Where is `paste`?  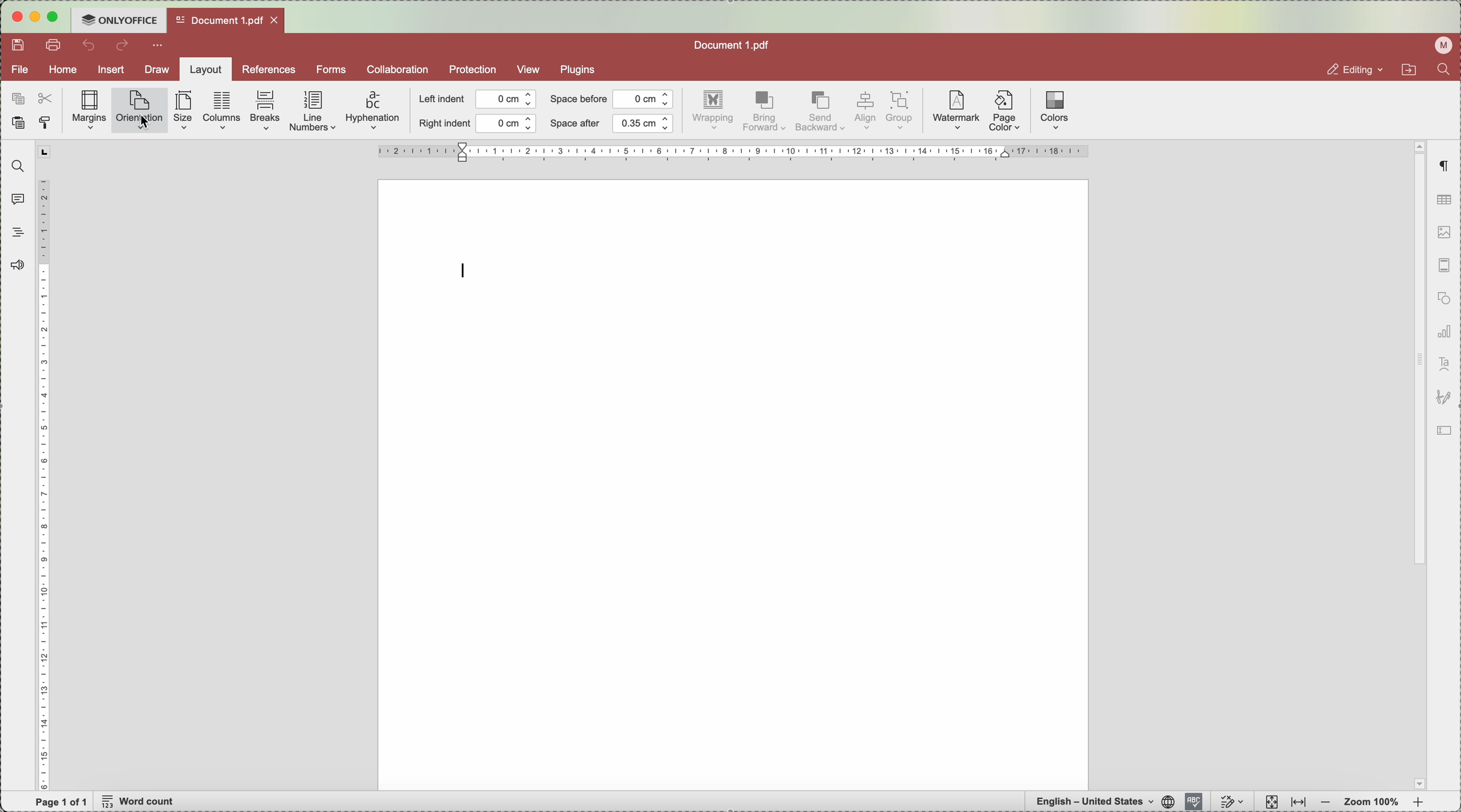 paste is located at coordinates (18, 125).